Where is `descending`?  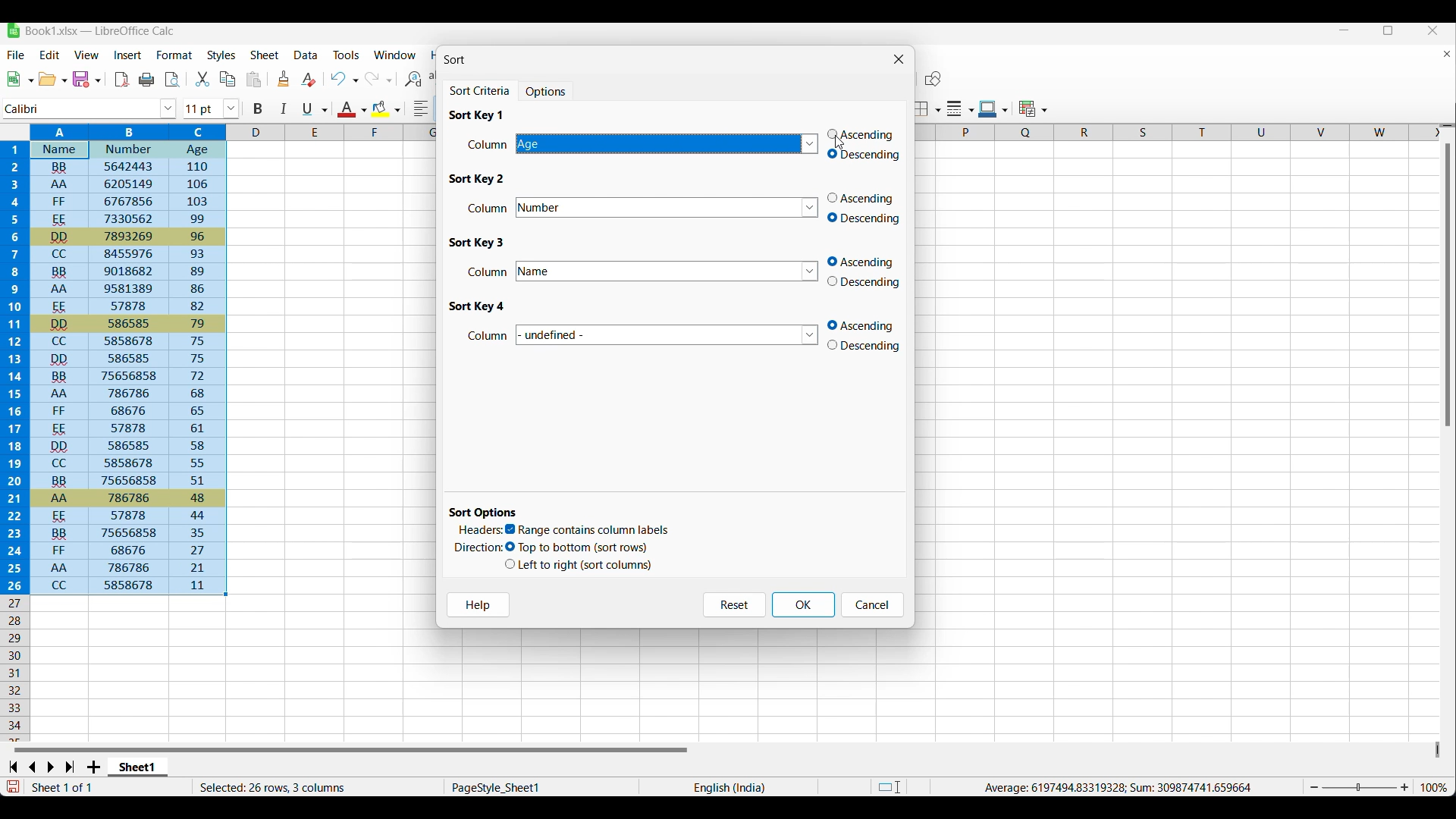
descending is located at coordinates (868, 157).